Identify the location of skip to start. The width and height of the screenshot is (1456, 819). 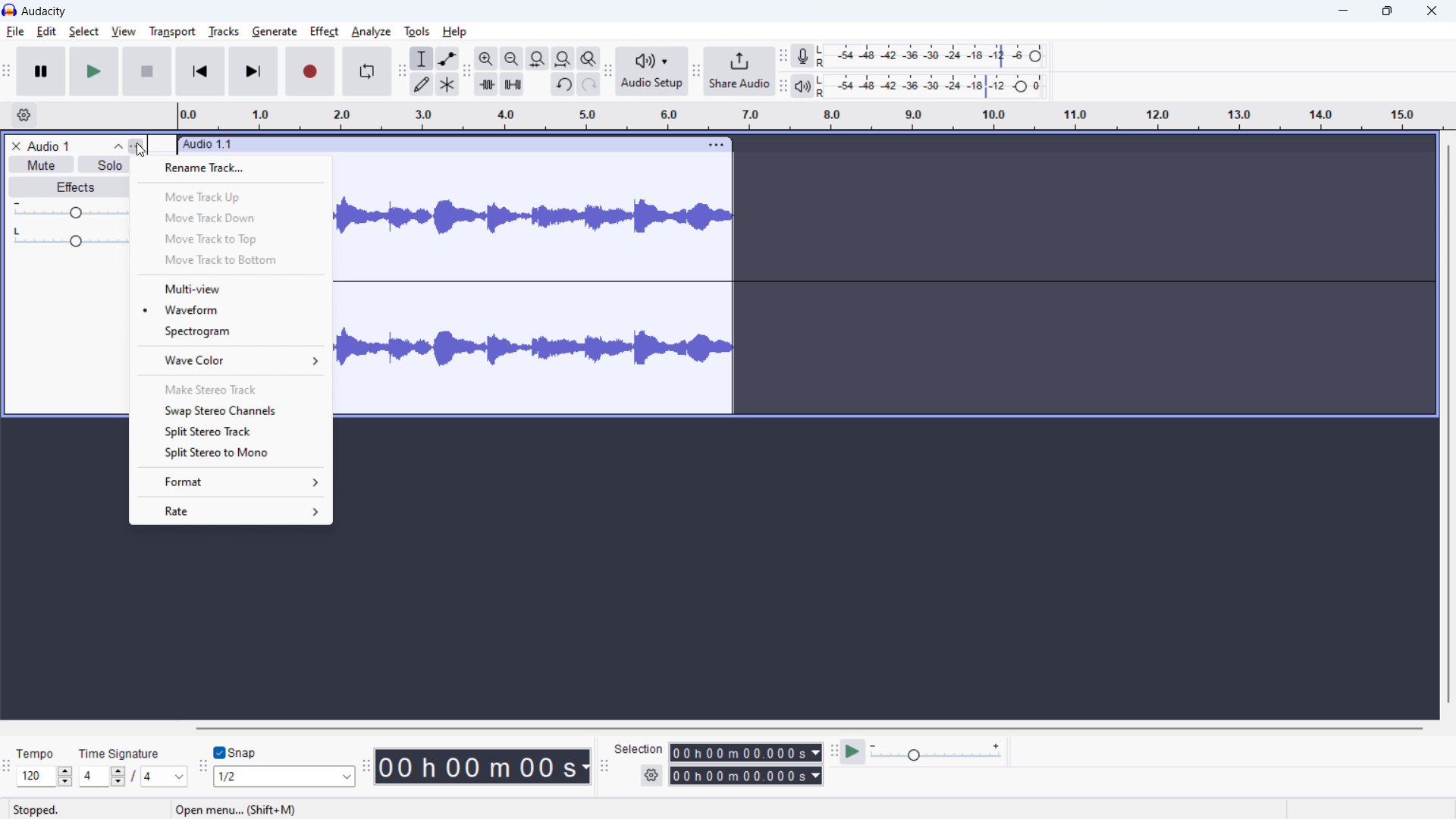
(199, 71).